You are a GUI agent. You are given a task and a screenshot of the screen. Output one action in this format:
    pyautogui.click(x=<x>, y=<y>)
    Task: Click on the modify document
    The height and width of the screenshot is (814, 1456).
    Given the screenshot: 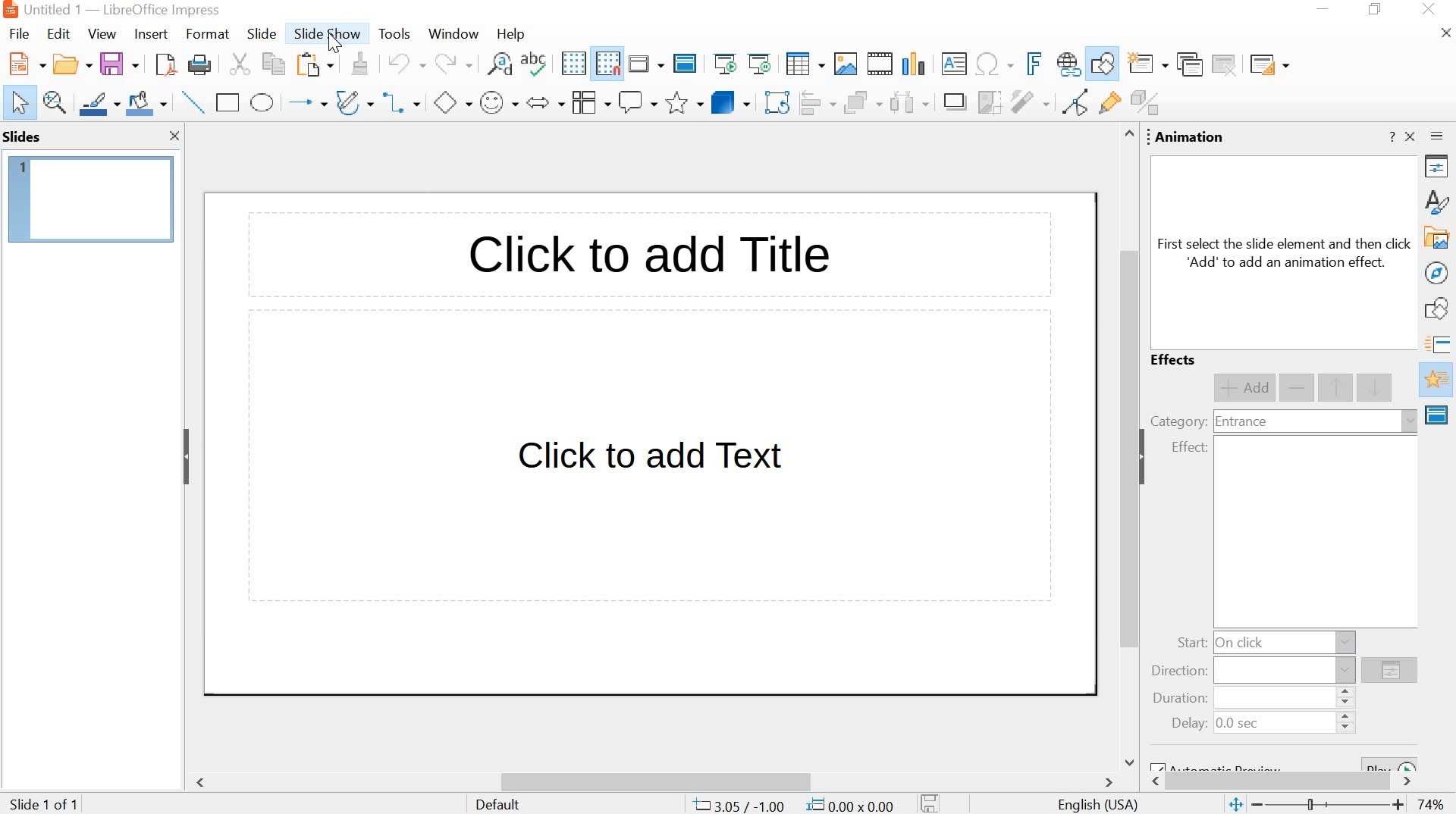 What is the action you would take?
    pyautogui.click(x=930, y=803)
    